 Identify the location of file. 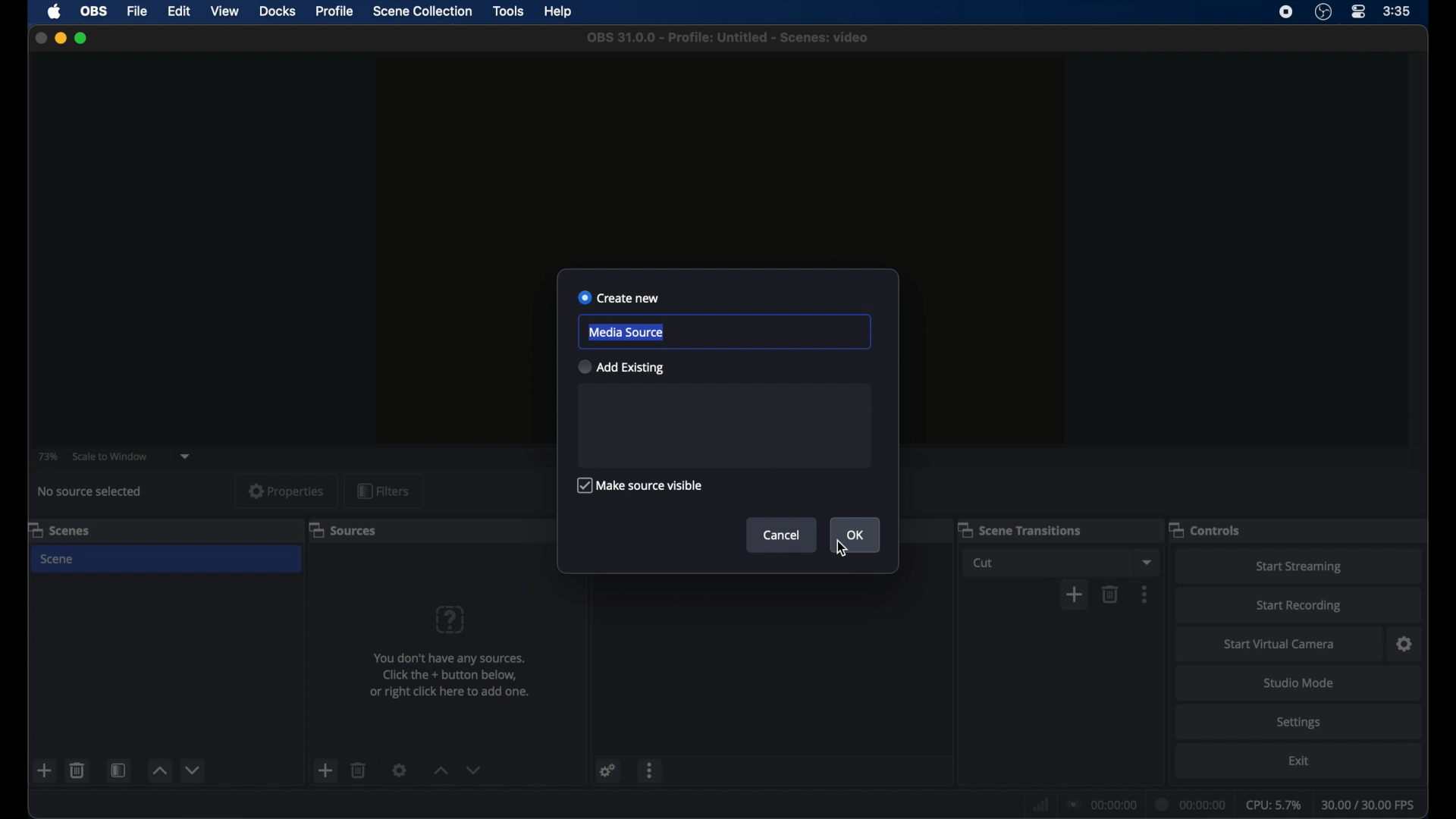
(138, 11).